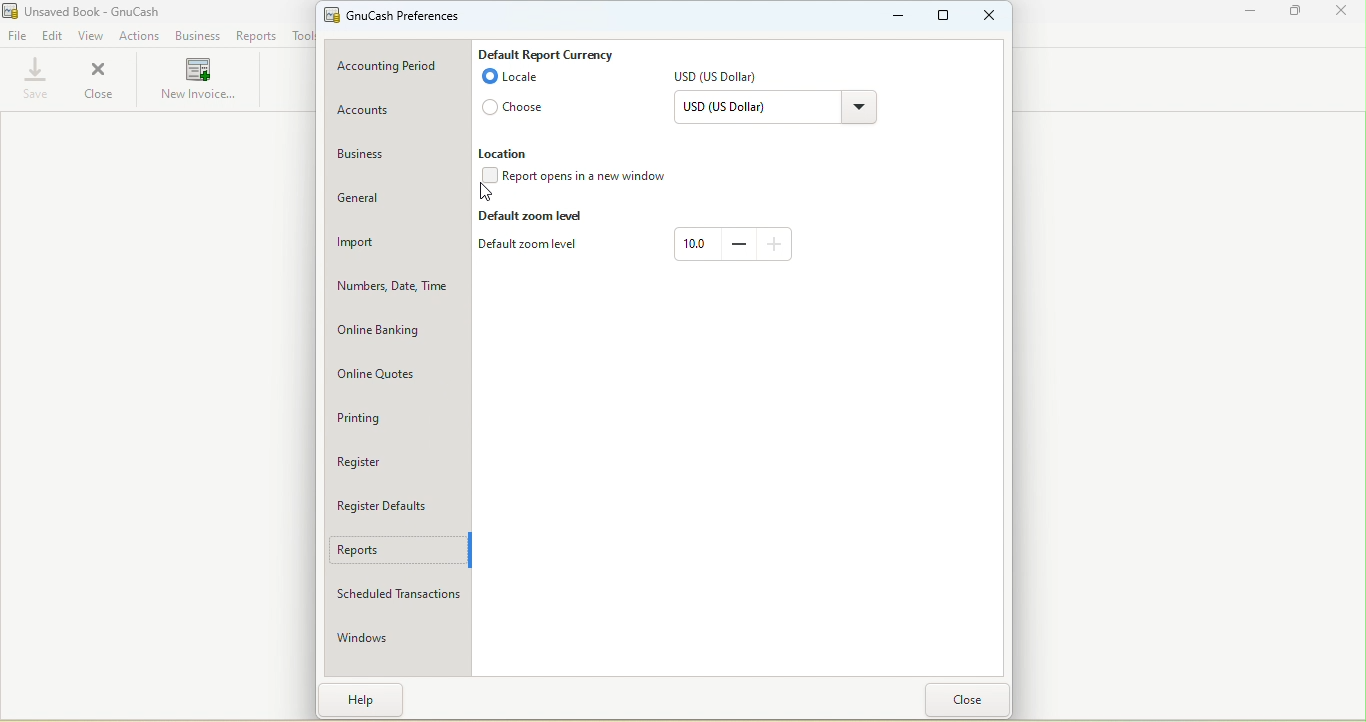  What do you see at coordinates (753, 110) in the screenshot?
I see `Text box` at bounding box center [753, 110].